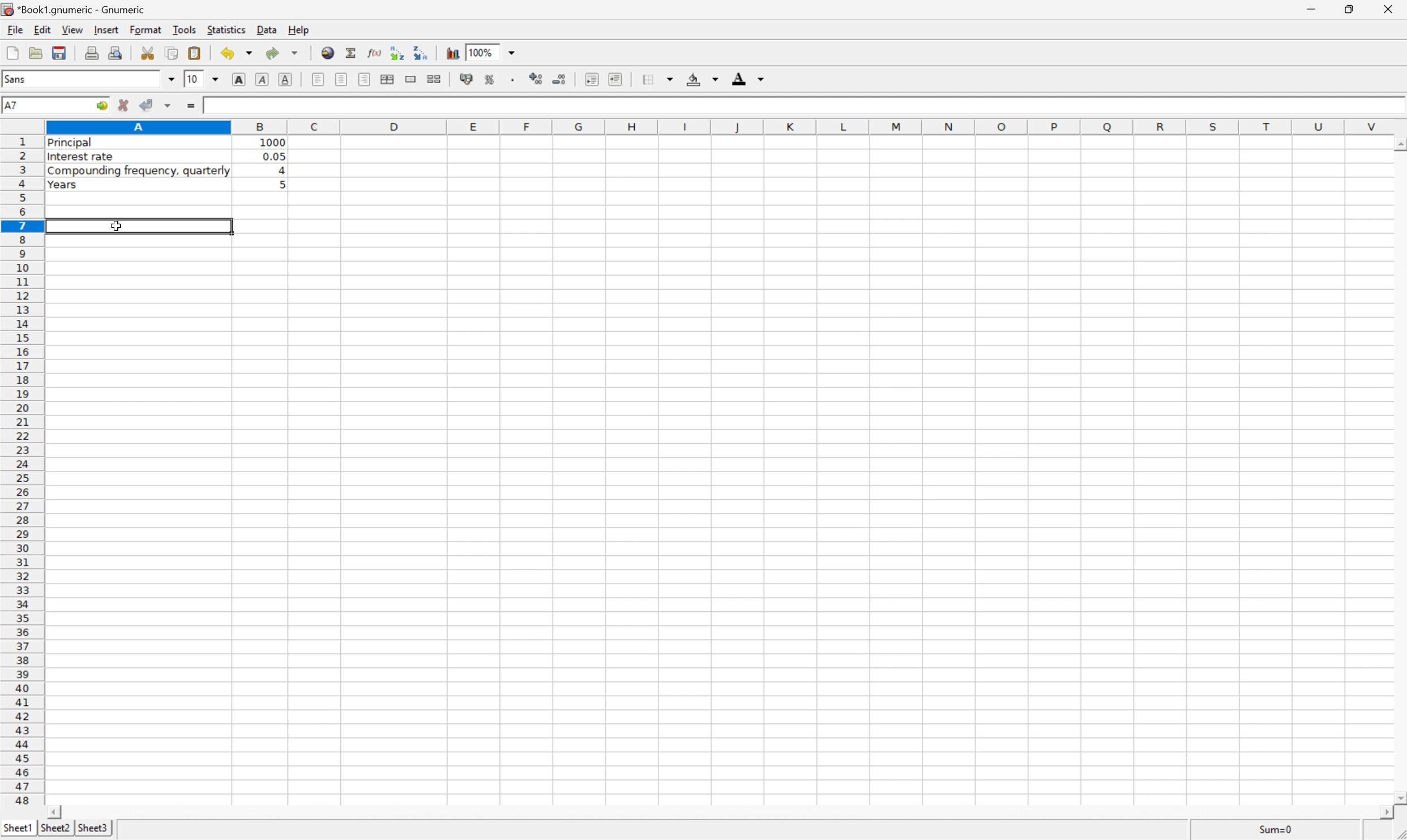 This screenshot has width=1407, height=840. Describe the element at coordinates (117, 227) in the screenshot. I see `cursor` at that location.